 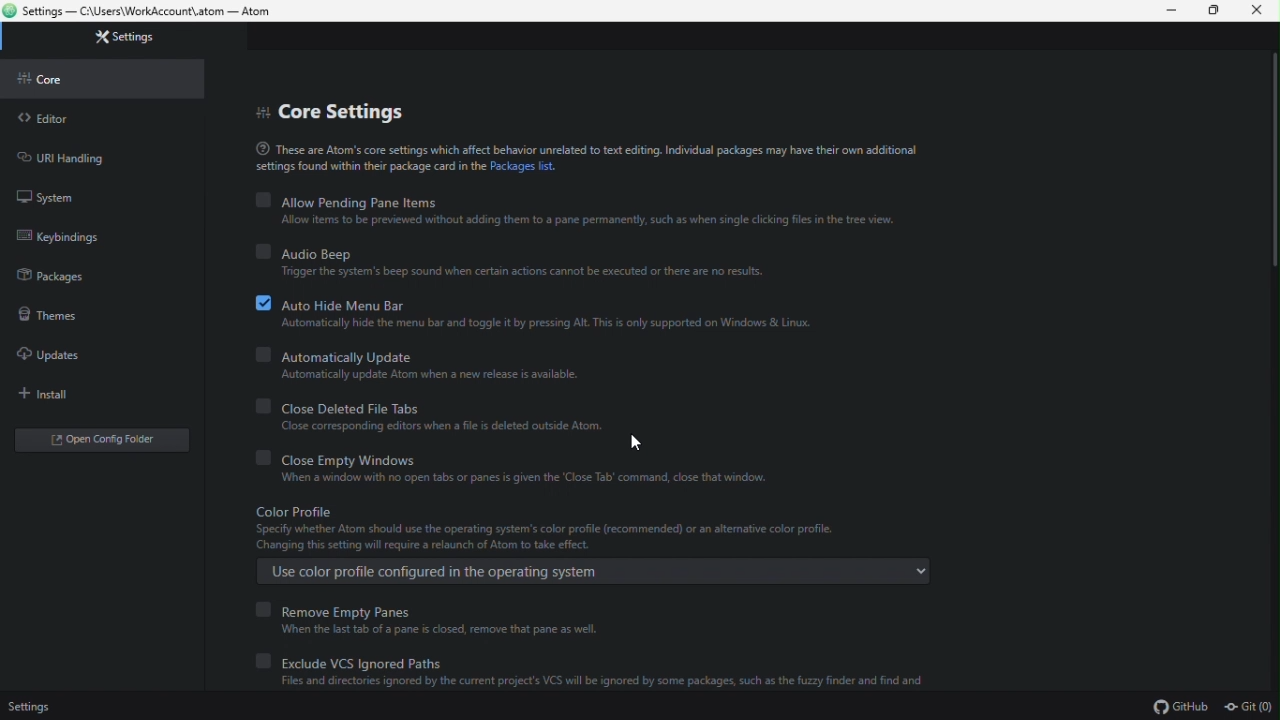 What do you see at coordinates (123, 39) in the screenshot?
I see `settings` at bounding box center [123, 39].